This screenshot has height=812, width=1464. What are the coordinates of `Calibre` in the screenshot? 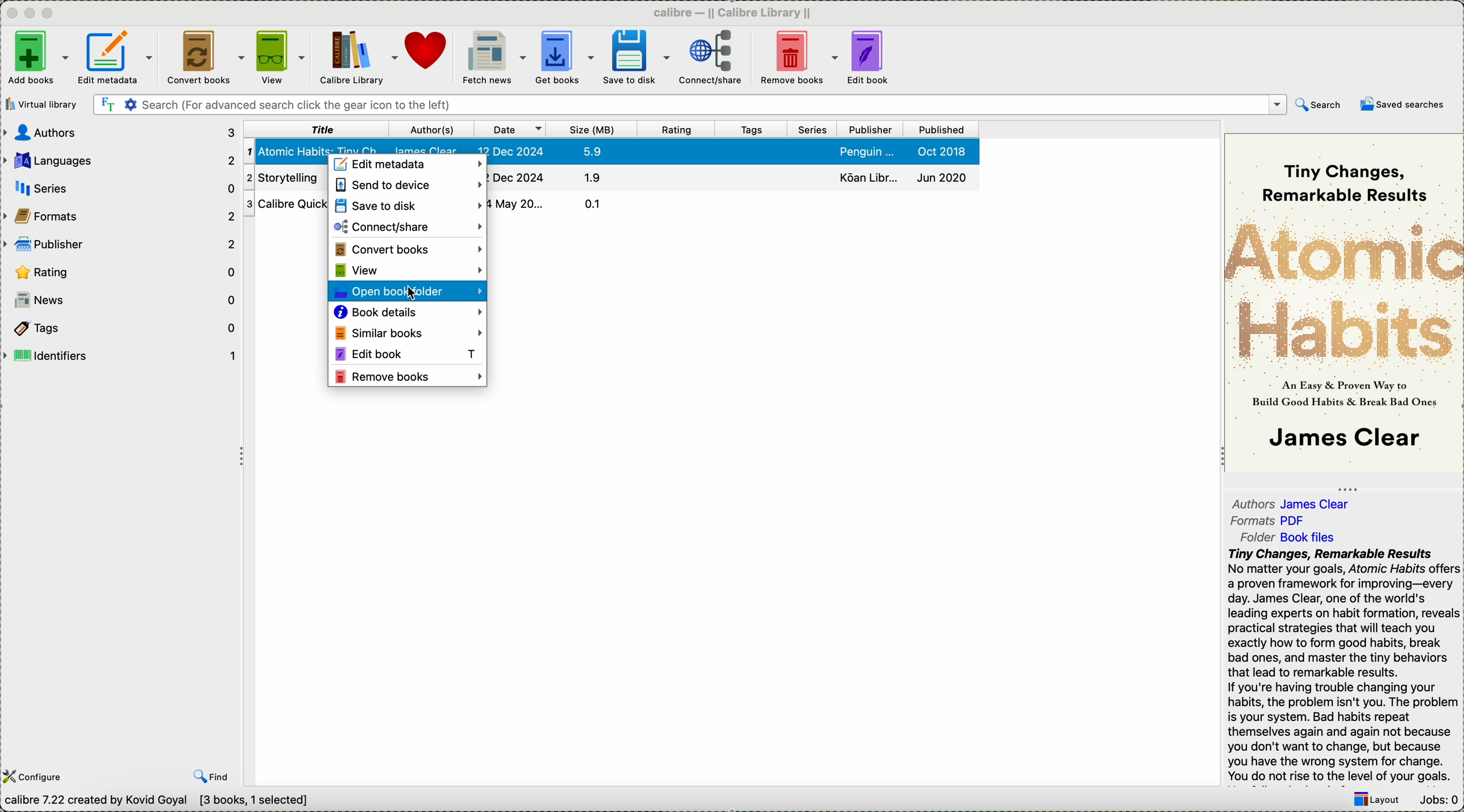 It's located at (737, 12).